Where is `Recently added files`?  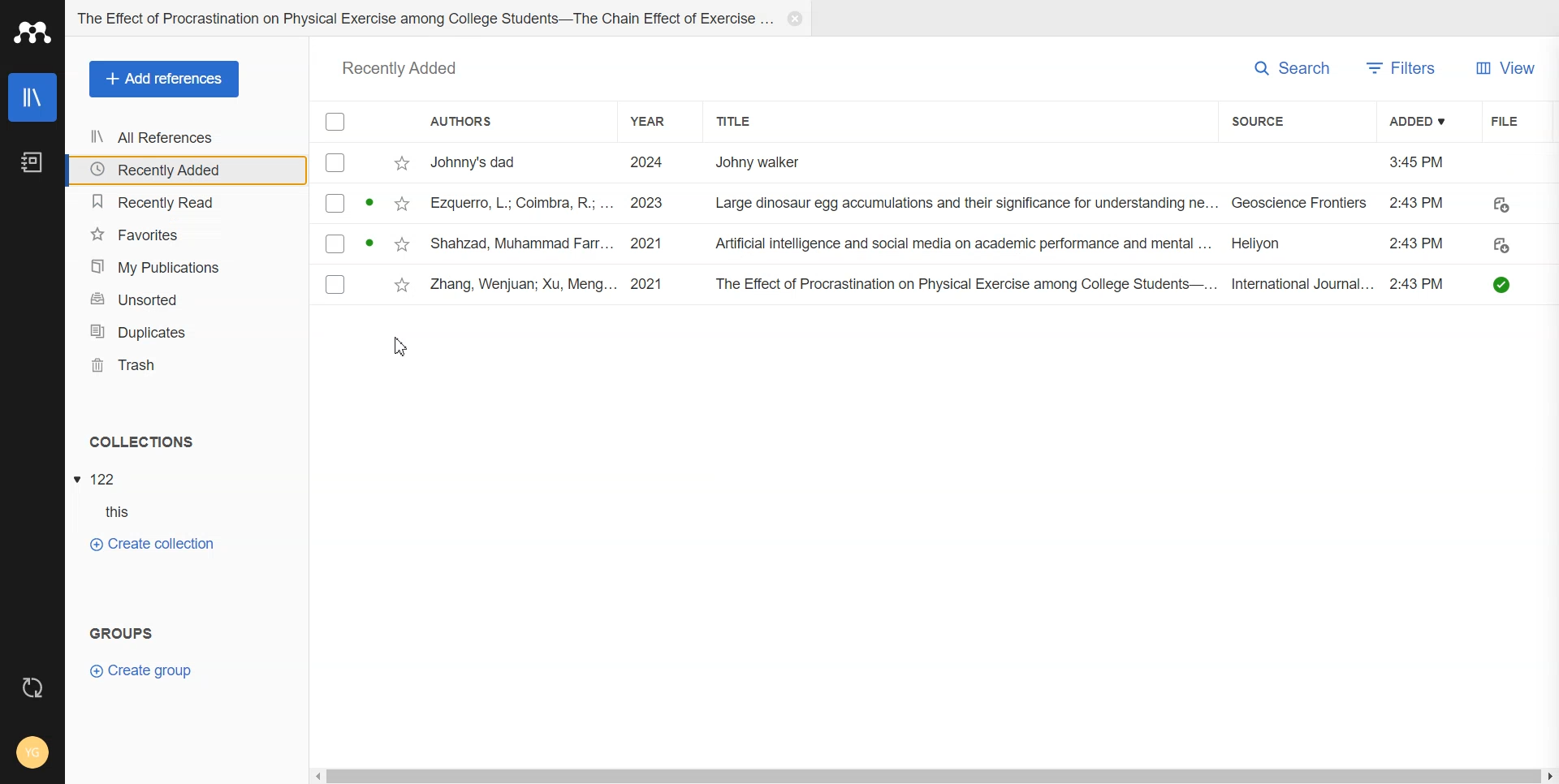 Recently added files is located at coordinates (935, 225).